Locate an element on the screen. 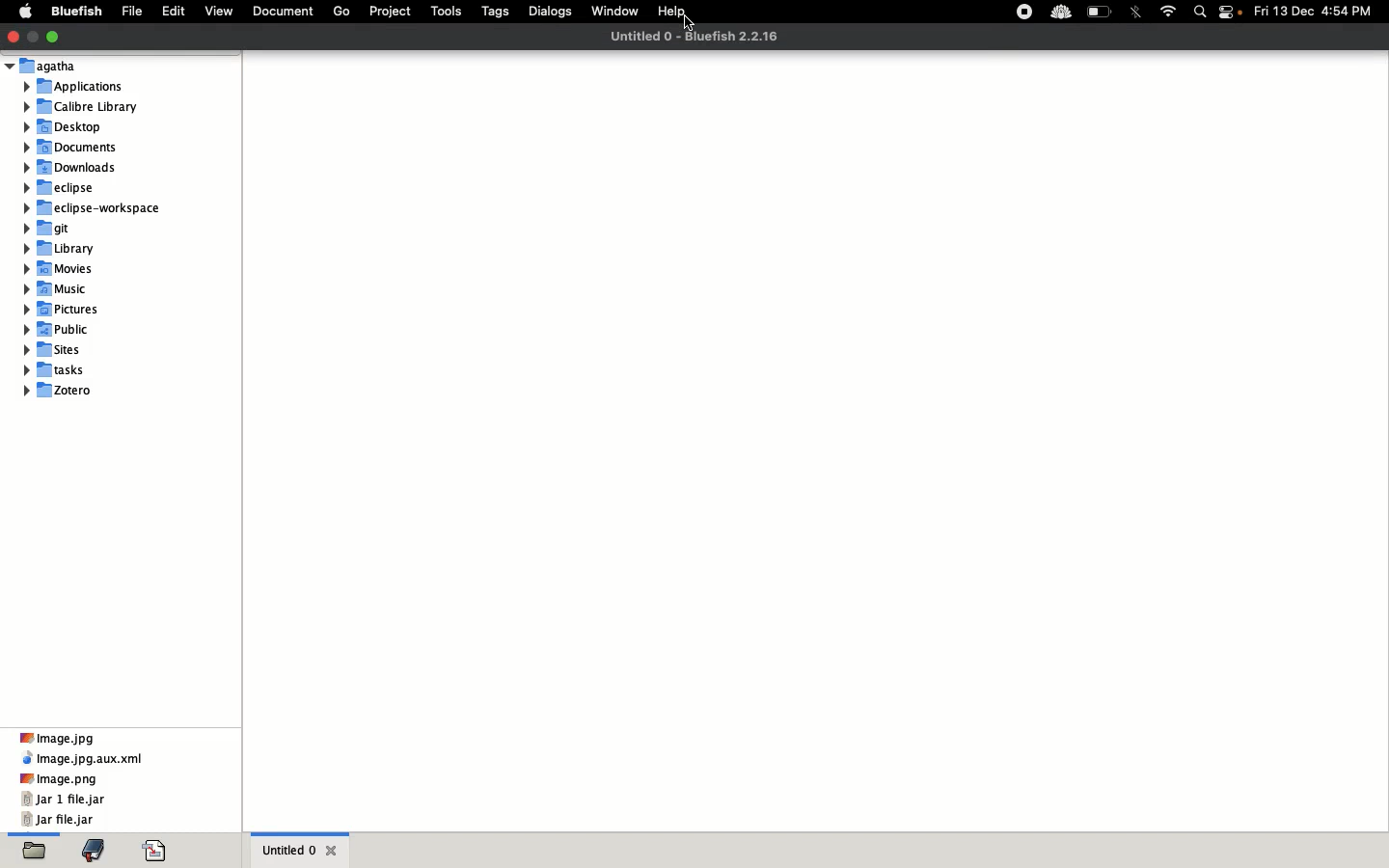 This screenshot has height=868, width=1389. movies is located at coordinates (64, 270).